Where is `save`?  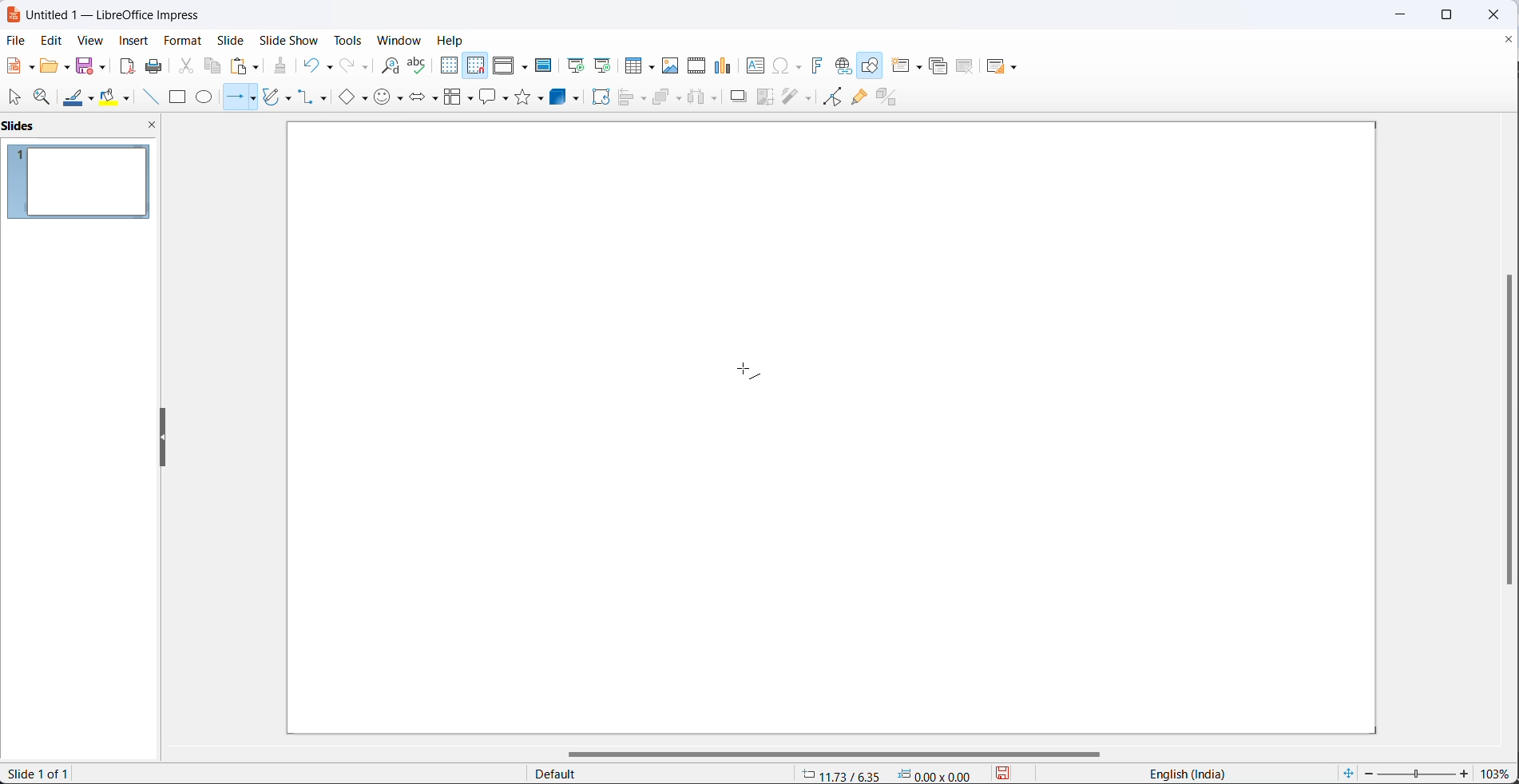
save is located at coordinates (1009, 774).